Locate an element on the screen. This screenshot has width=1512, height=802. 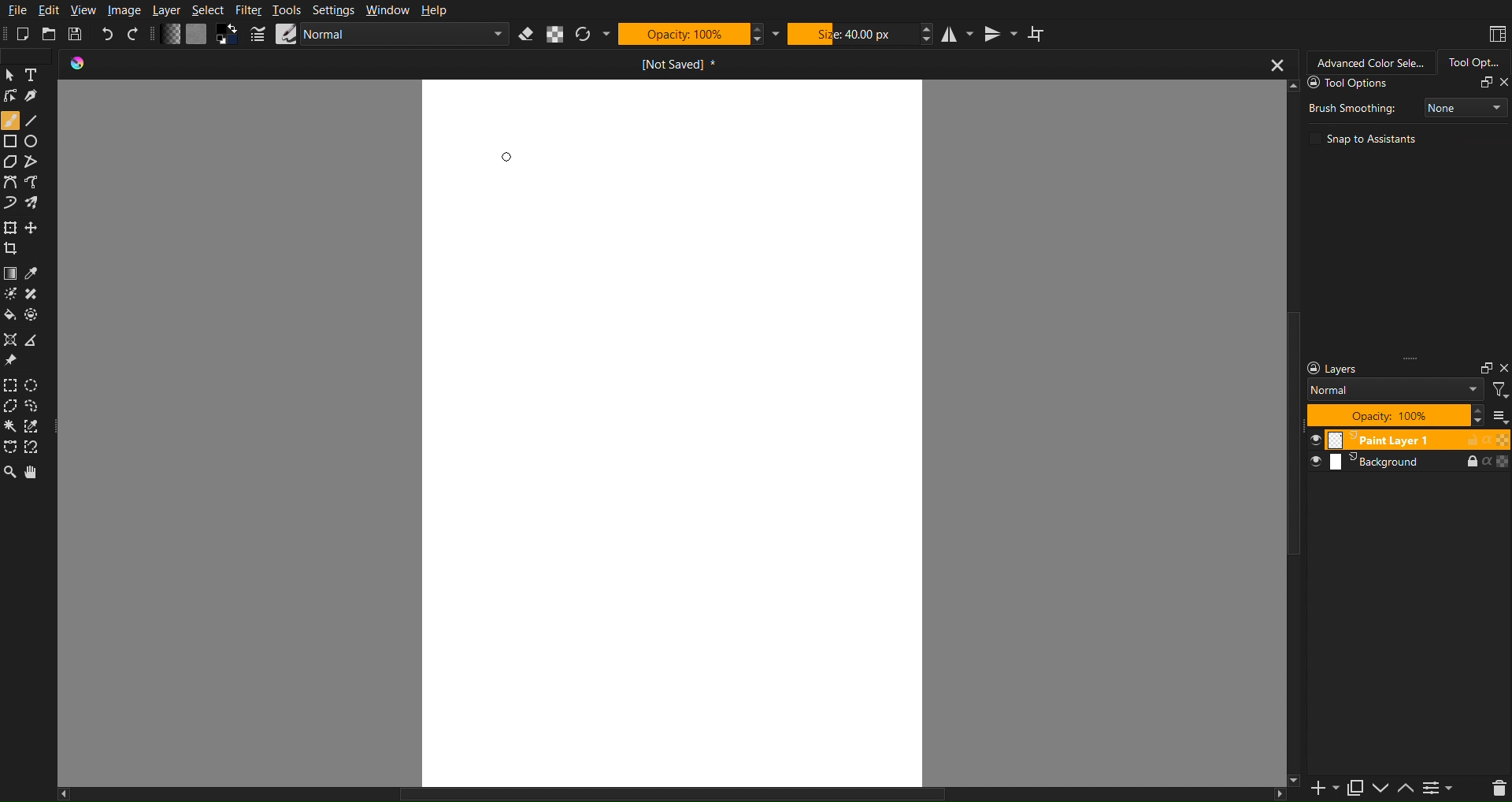
None is located at coordinates (1464, 106).